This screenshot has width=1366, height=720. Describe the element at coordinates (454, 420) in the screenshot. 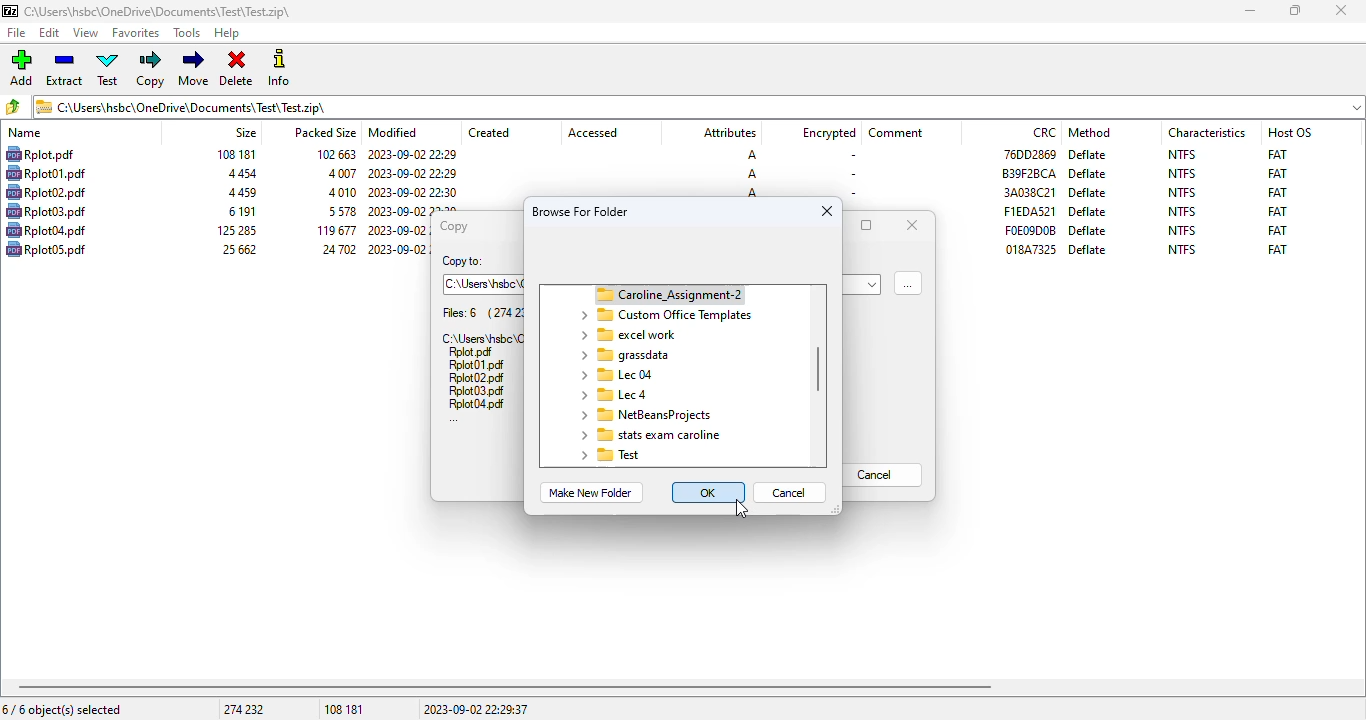

I see `...` at that location.